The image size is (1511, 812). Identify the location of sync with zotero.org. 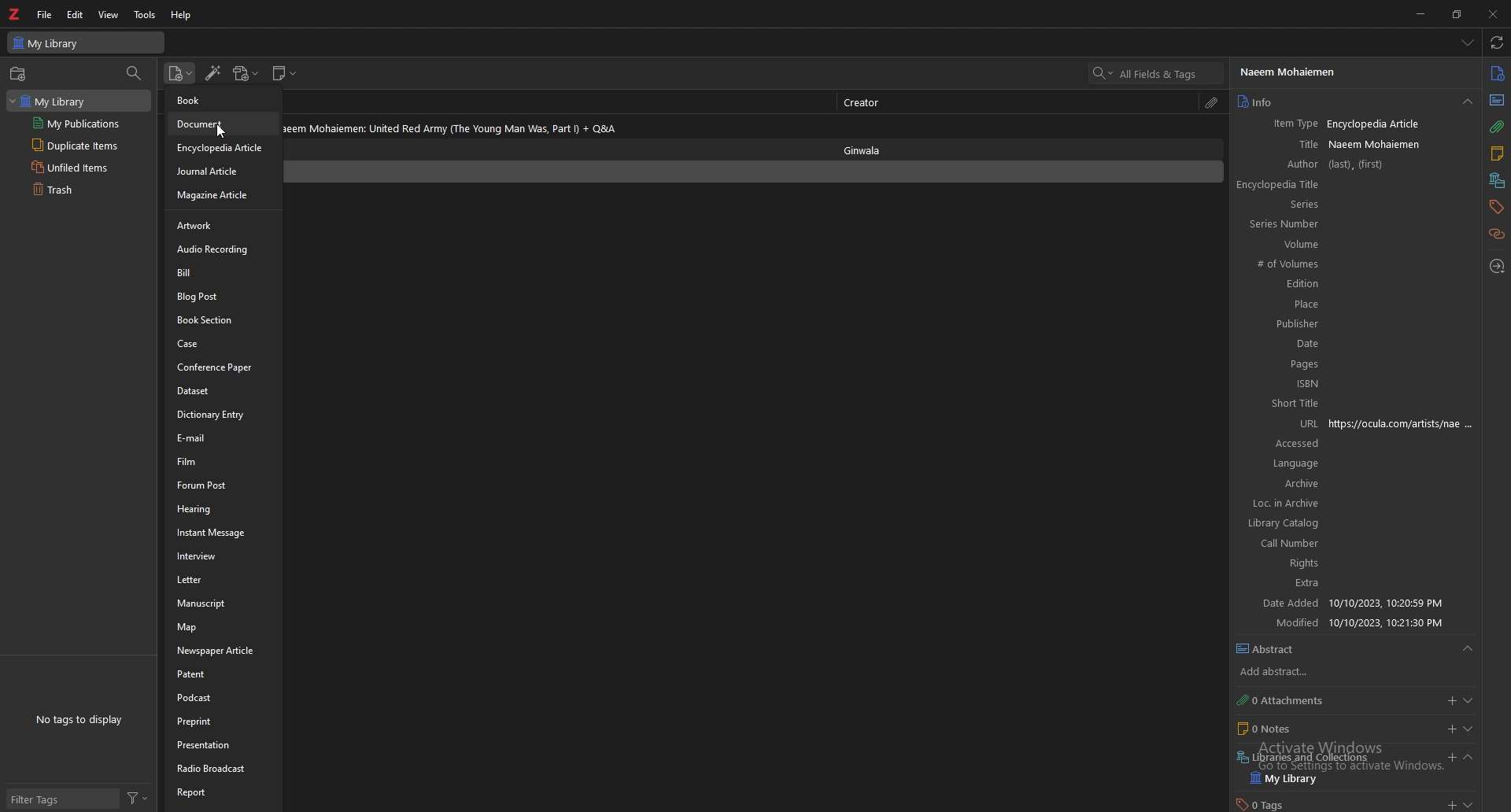
(1497, 42).